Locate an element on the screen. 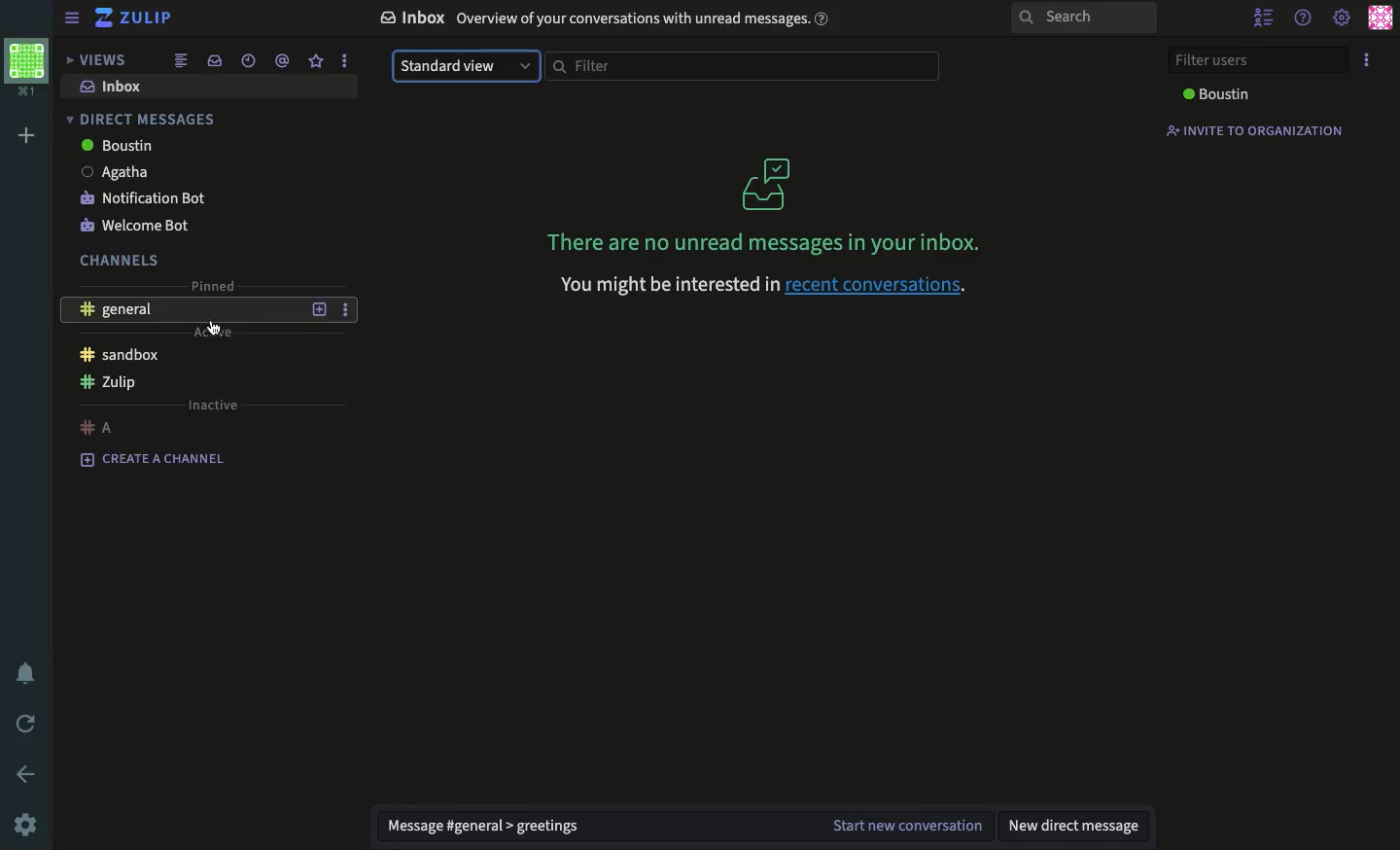 The width and height of the screenshot is (1400, 850). direct message is located at coordinates (145, 120).